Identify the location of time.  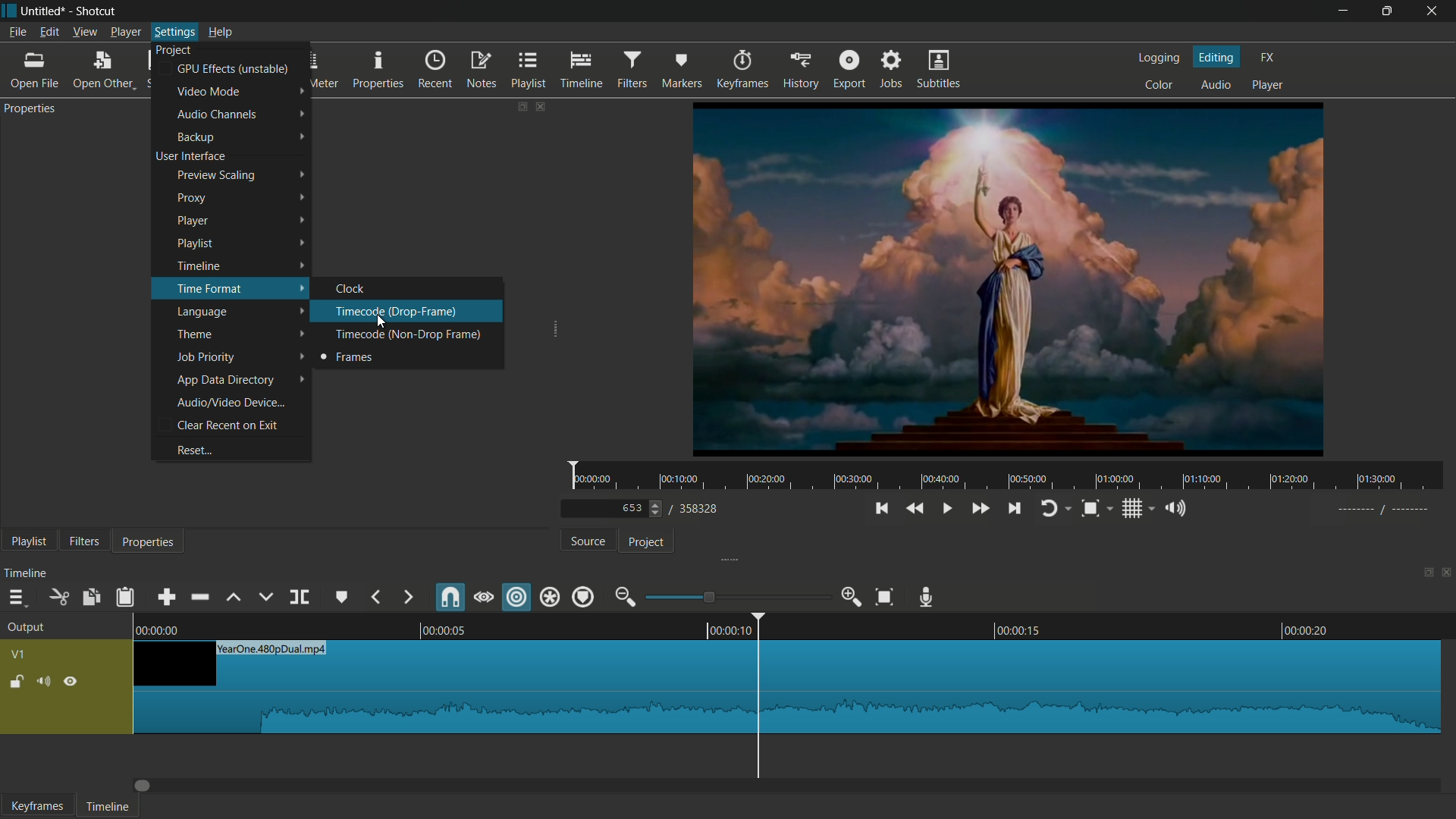
(1008, 478).